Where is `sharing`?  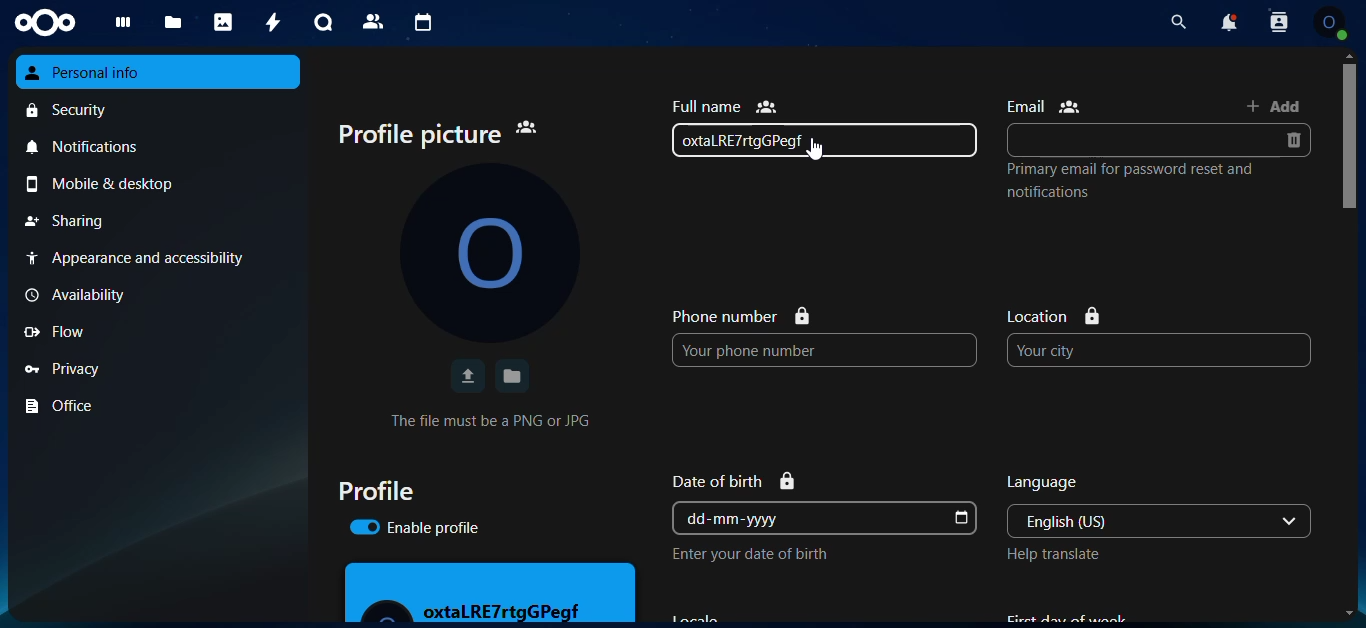
sharing is located at coordinates (159, 221).